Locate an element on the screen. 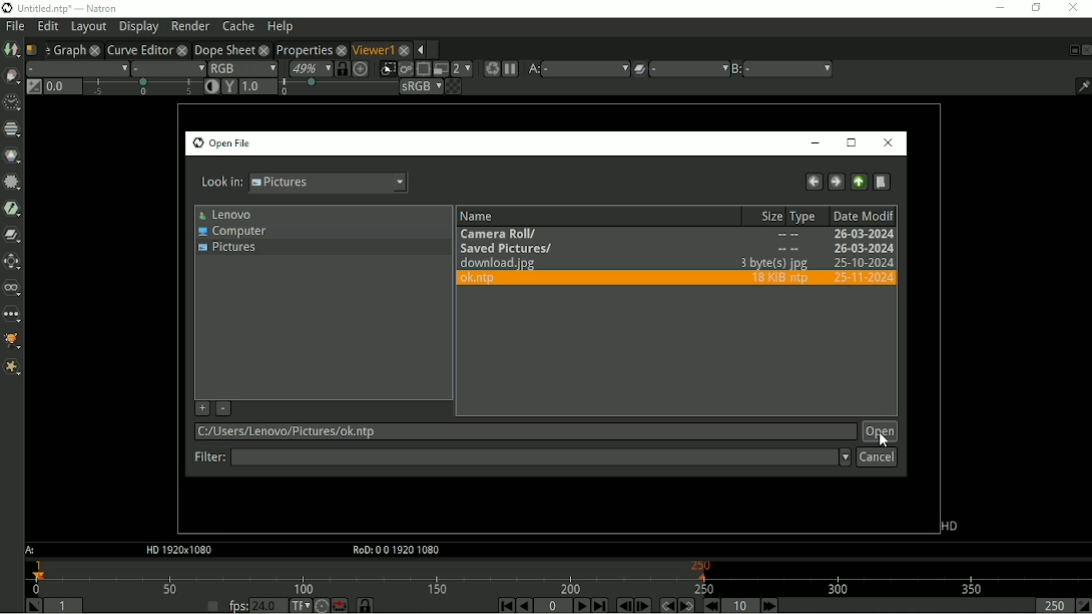 This screenshot has height=614, width=1092. logo is located at coordinates (7, 8).